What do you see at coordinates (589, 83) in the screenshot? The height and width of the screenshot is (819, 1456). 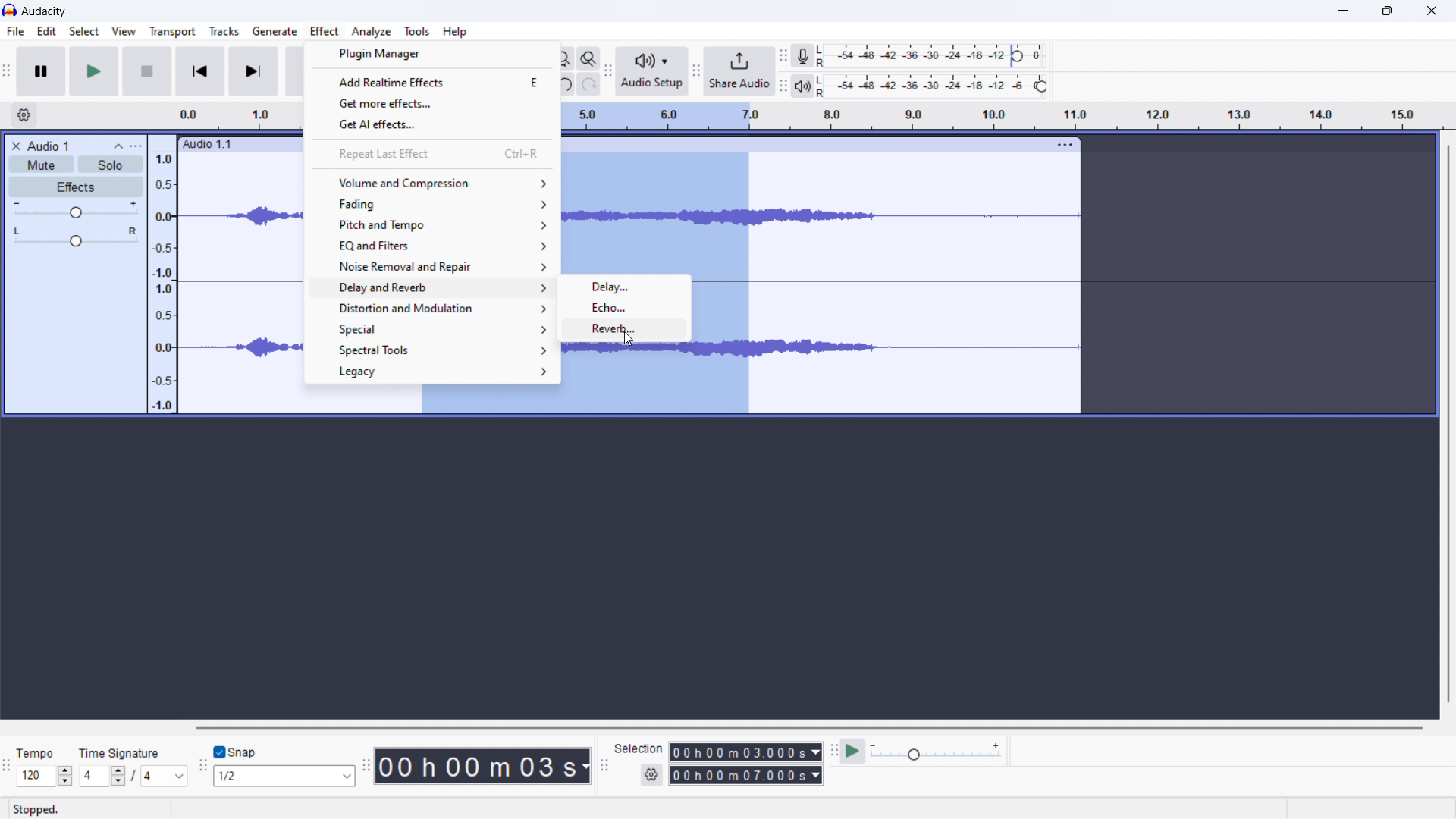 I see `redo` at bounding box center [589, 83].